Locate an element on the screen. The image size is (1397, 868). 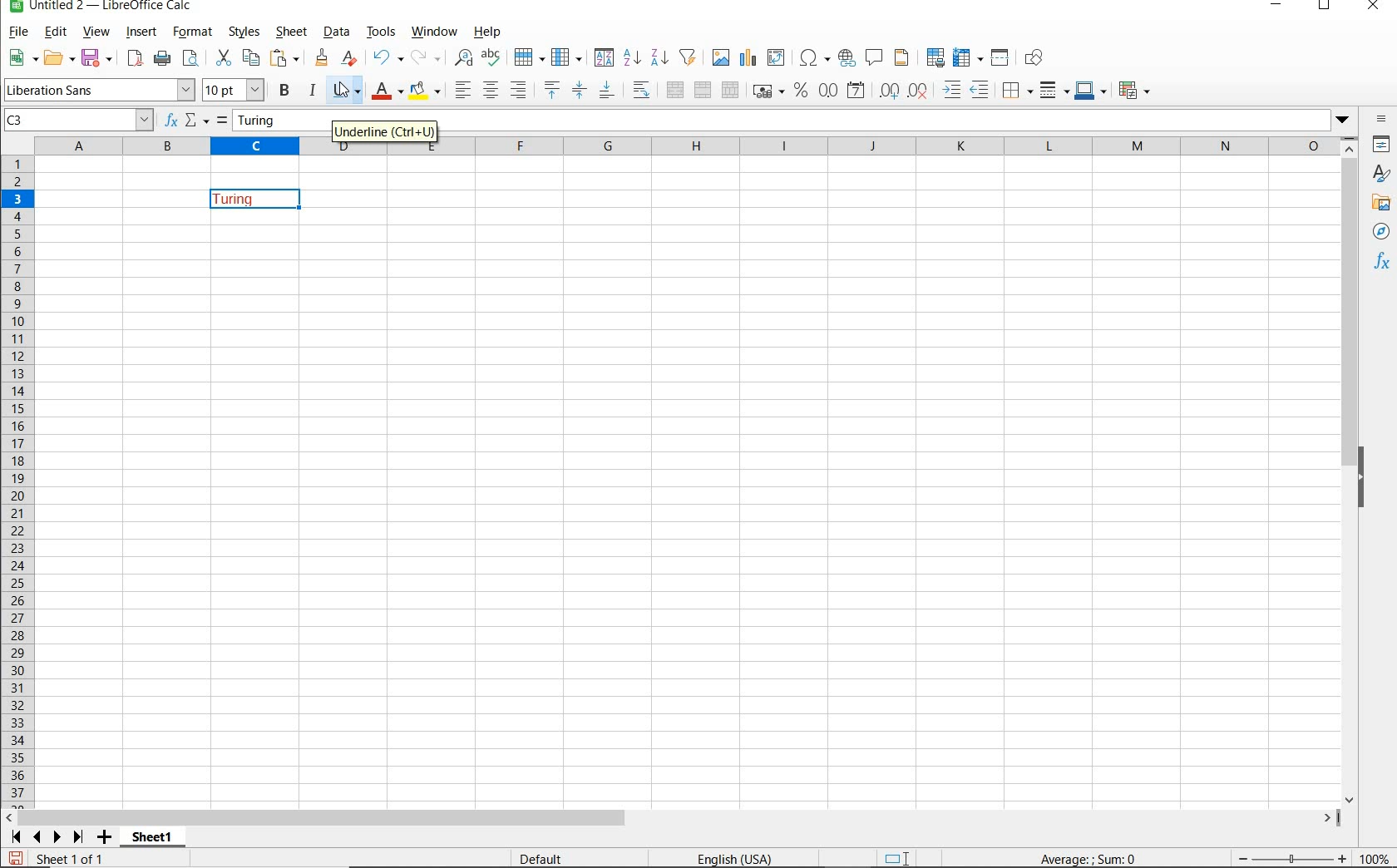
COPY is located at coordinates (252, 57).